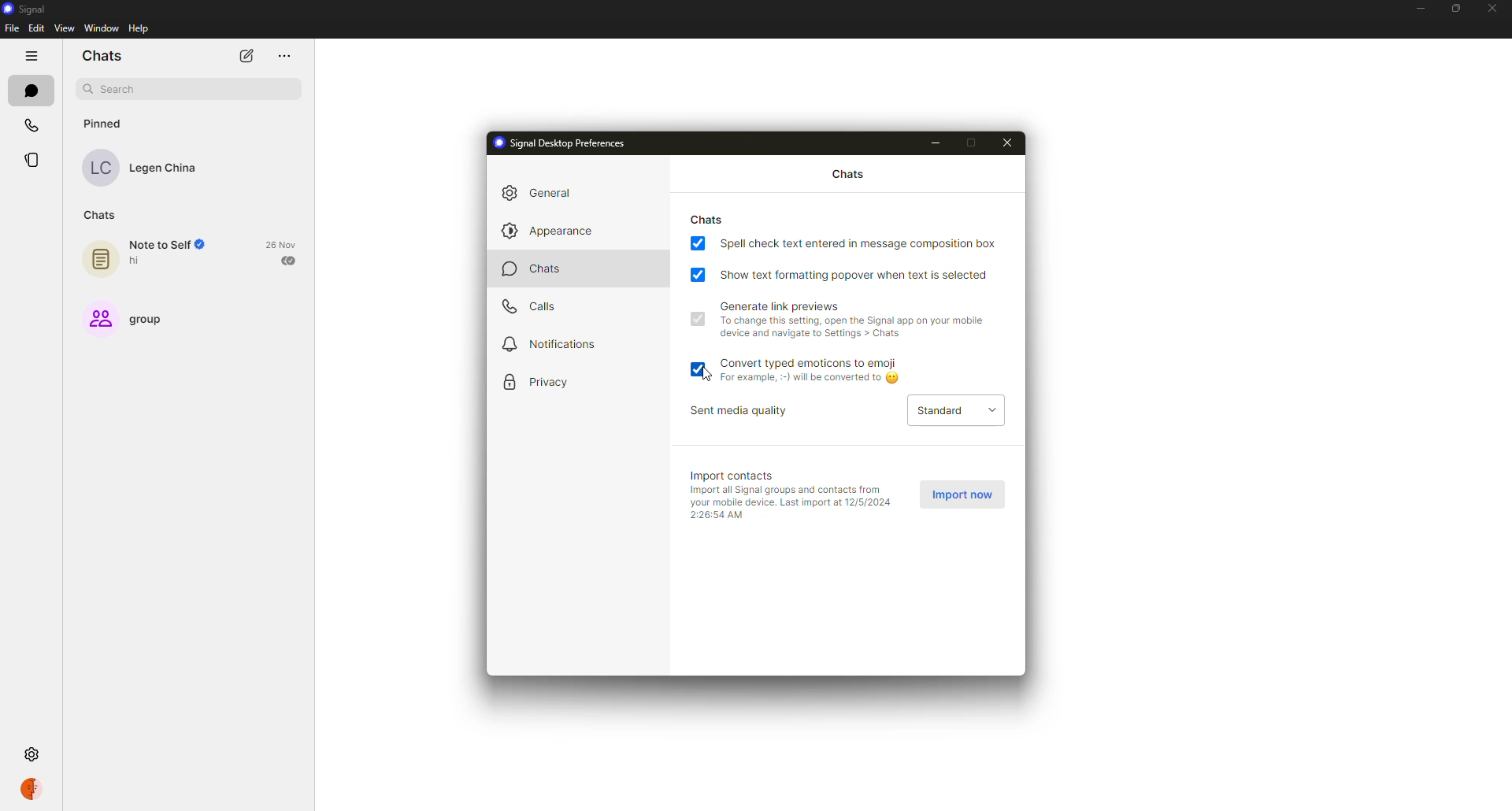 Image resolution: width=1512 pixels, height=811 pixels. What do you see at coordinates (141, 28) in the screenshot?
I see `help` at bounding box center [141, 28].